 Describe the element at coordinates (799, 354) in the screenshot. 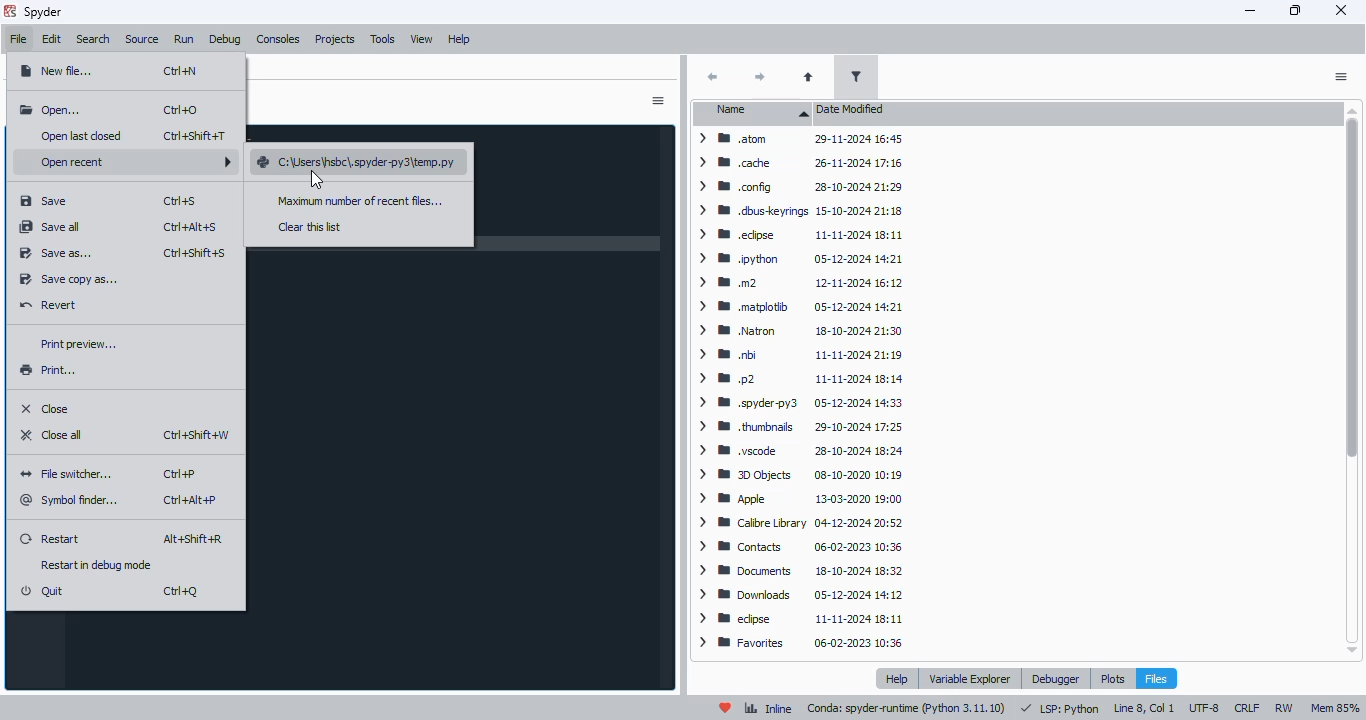

I see `> Wm bi 11-11-2024 21:19` at that location.